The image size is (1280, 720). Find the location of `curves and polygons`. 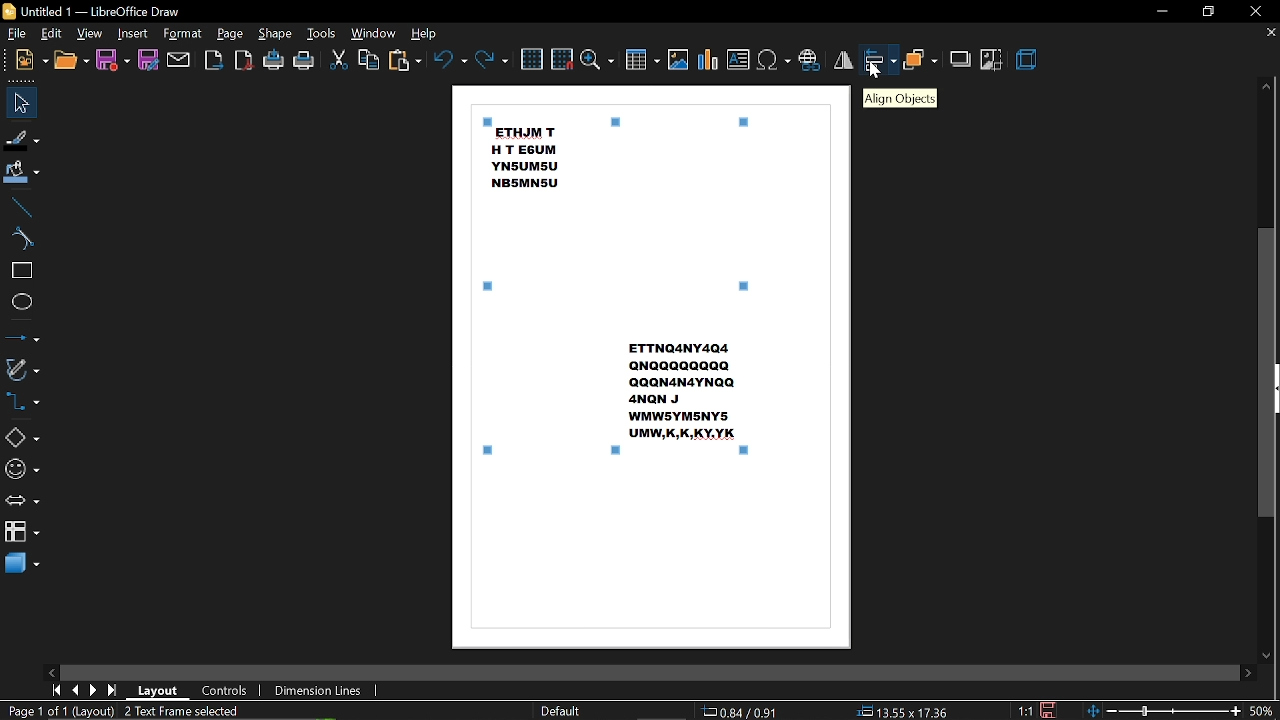

curves and polygons is located at coordinates (24, 369).